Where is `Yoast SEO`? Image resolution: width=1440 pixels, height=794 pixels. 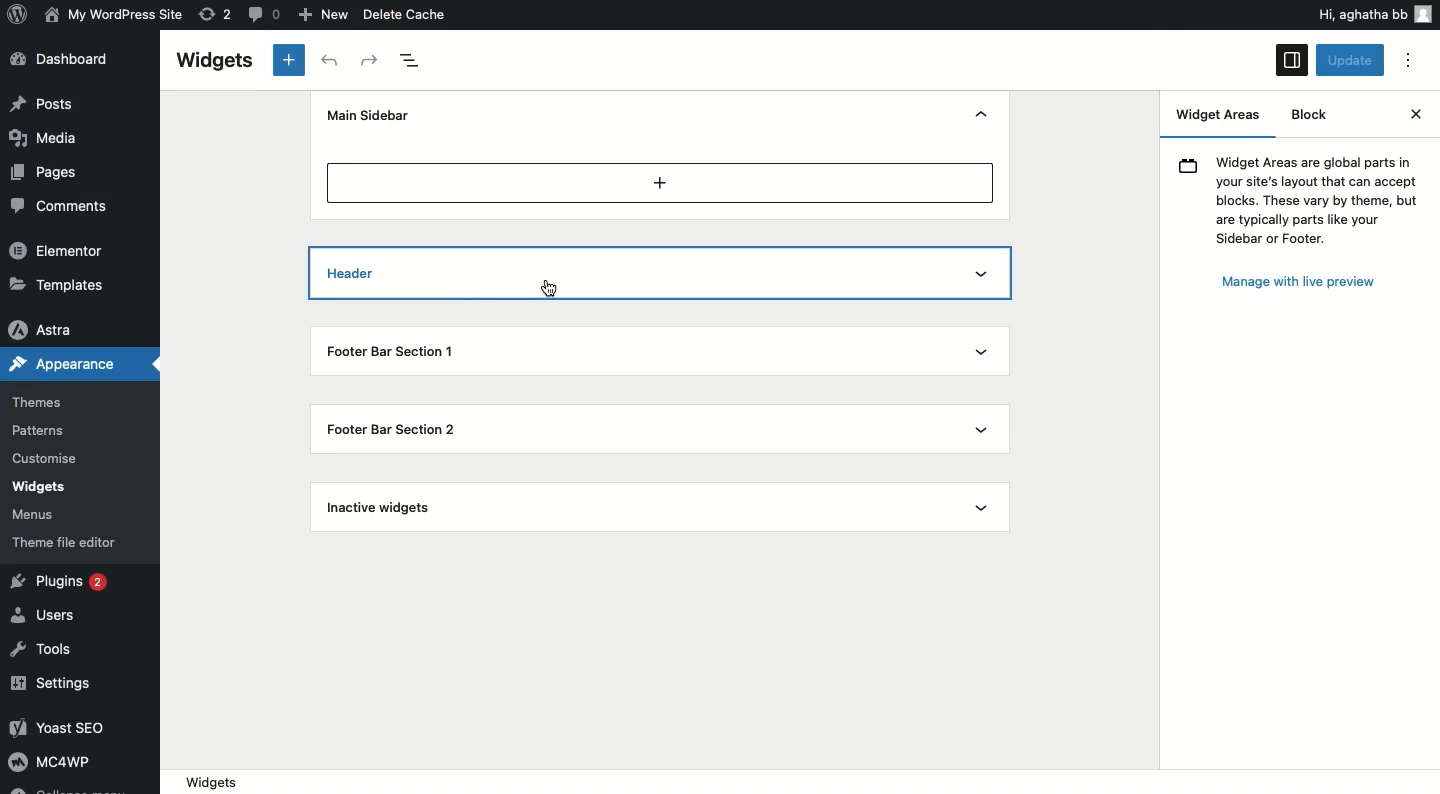 Yoast SEO is located at coordinates (67, 727).